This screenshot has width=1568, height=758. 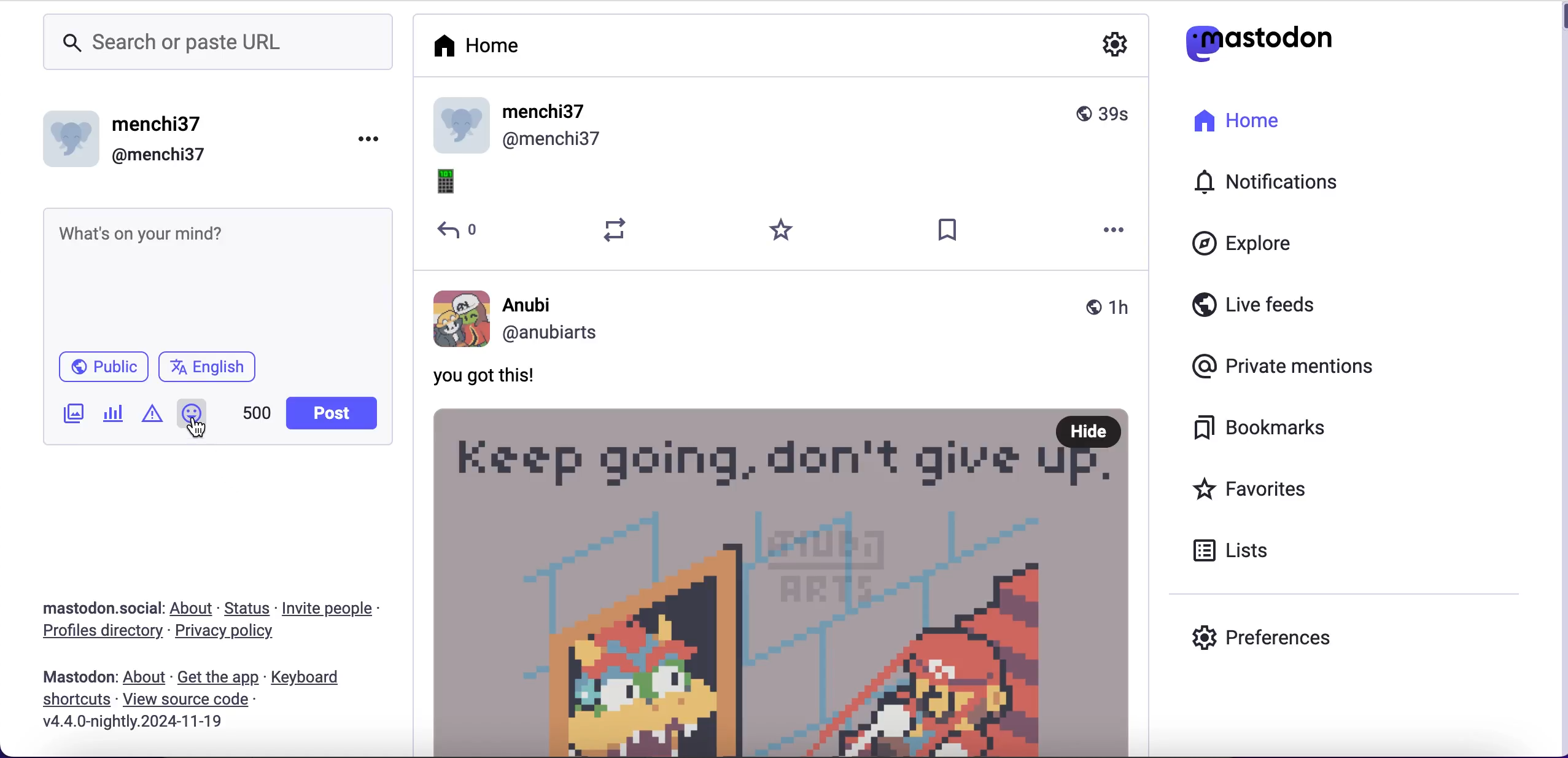 I want to click on add poll, so click(x=113, y=416).